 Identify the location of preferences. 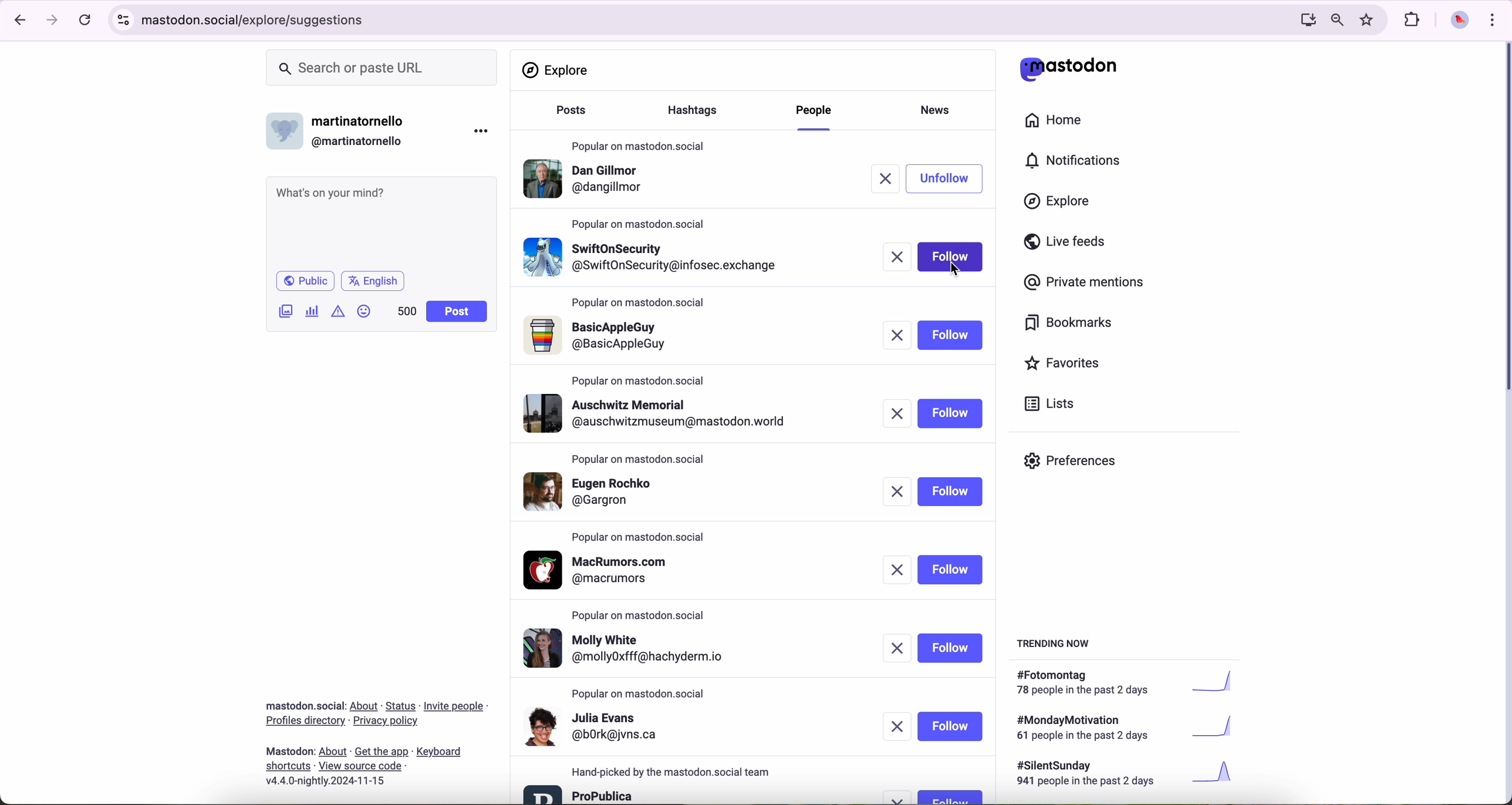
(1079, 465).